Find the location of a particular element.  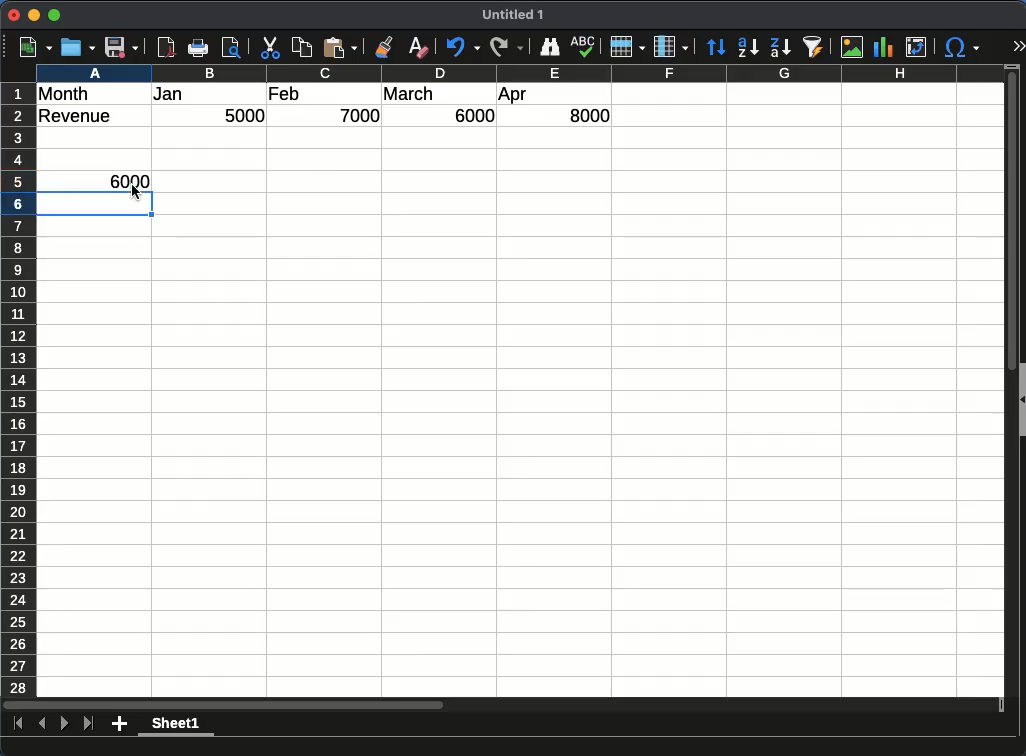

expand is located at coordinates (1019, 45).